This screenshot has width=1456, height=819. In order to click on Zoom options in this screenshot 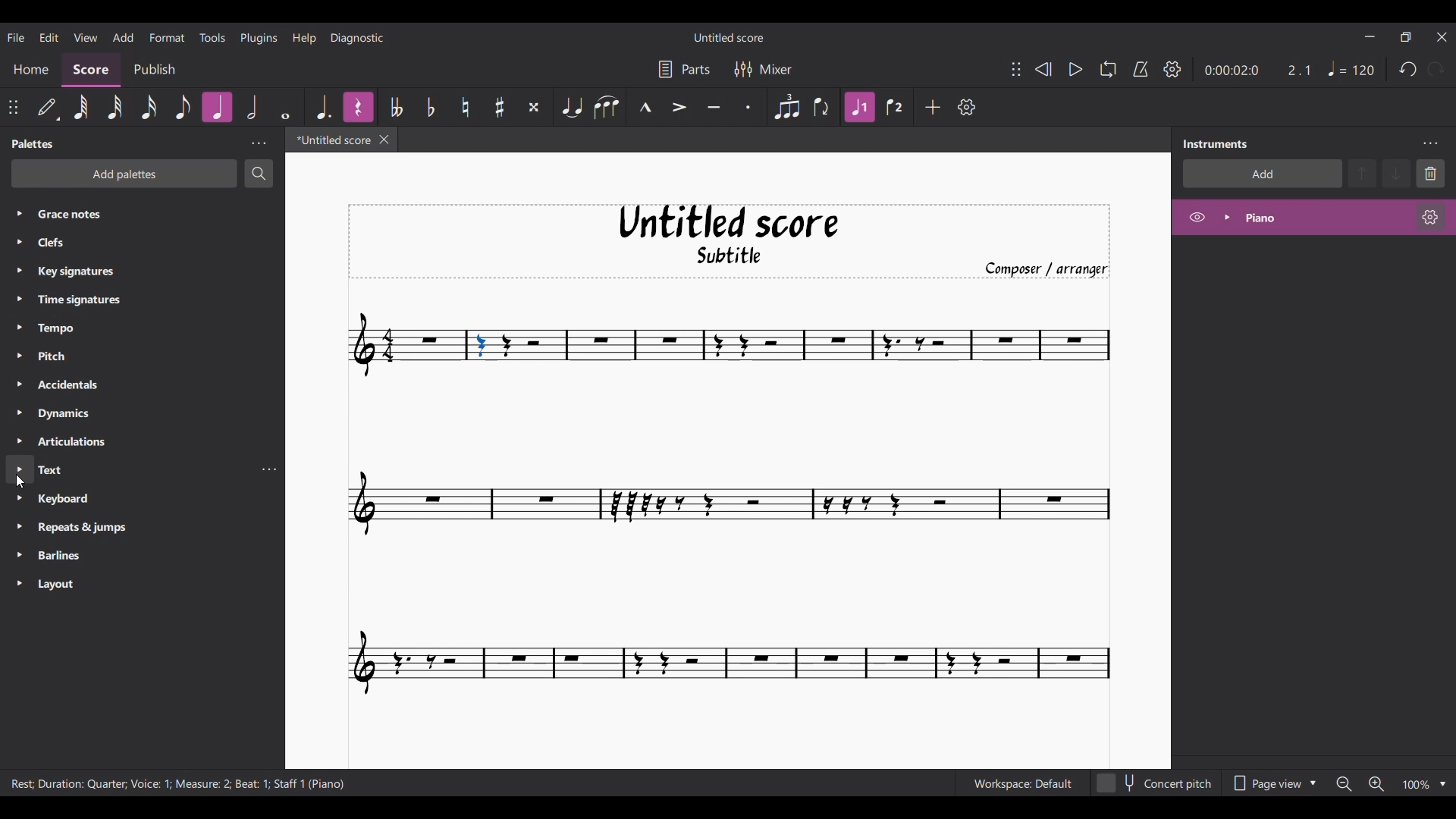, I will do `click(1443, 785)`.